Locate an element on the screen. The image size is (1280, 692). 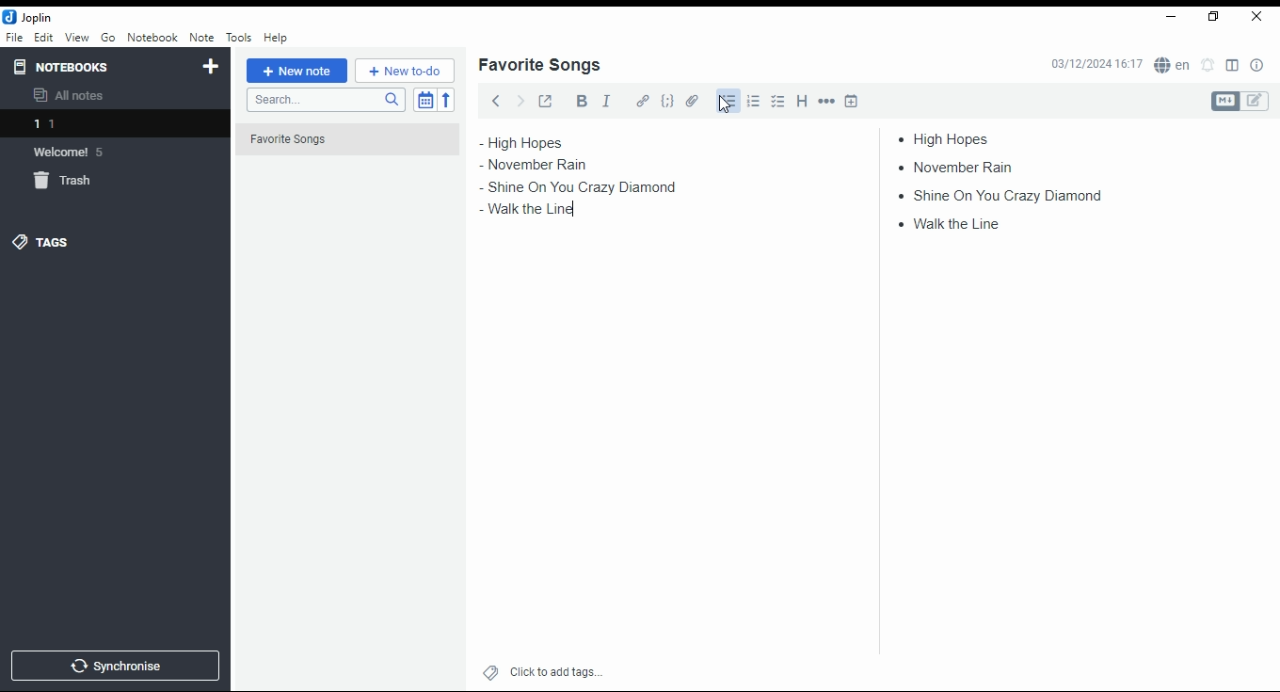
minimize is located at coordinates (1168, 18).